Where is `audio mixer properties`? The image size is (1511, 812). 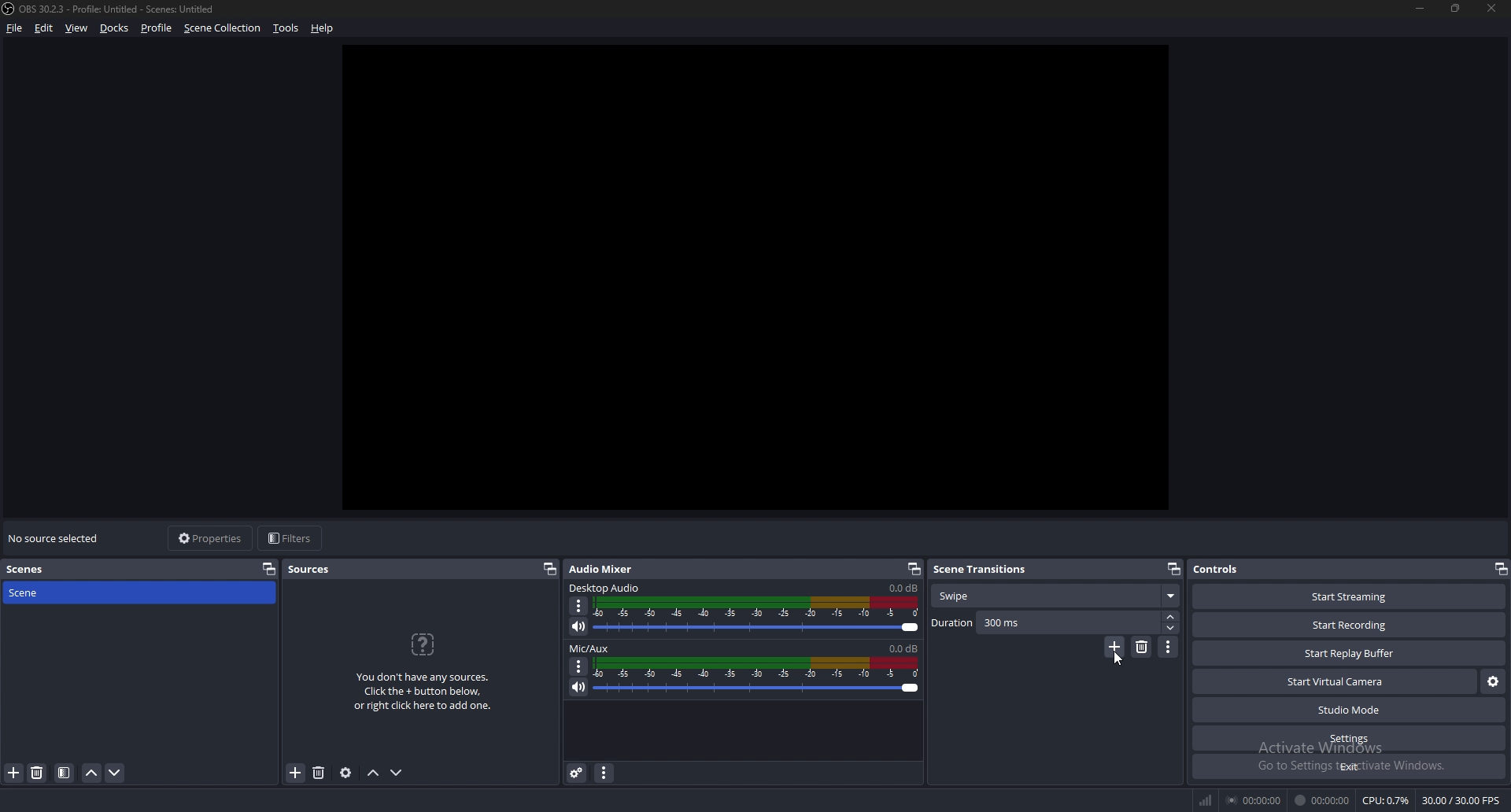 audio mixer properties is located at coordinates (605, 773).